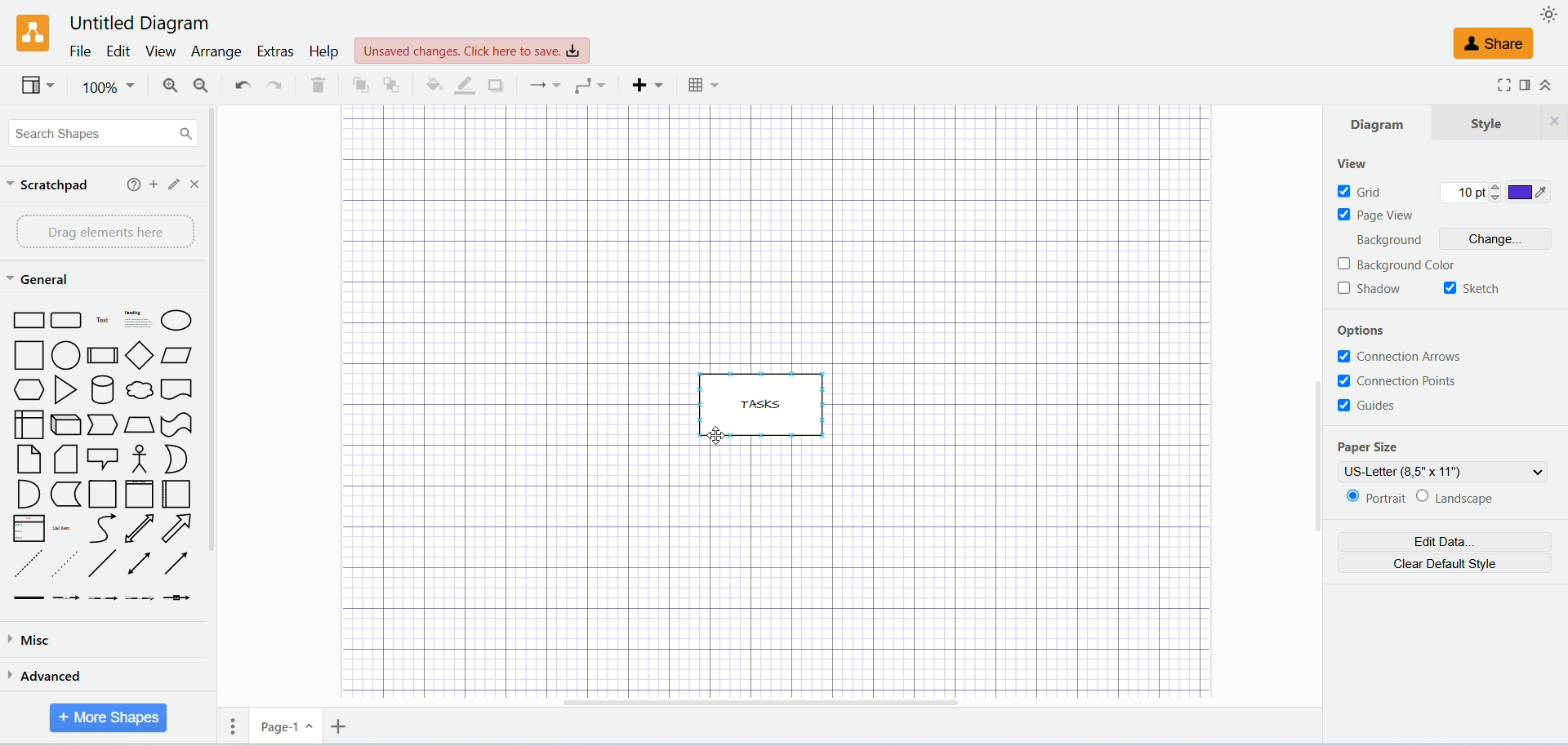  What do you see at coordinates (139, 425) in the screenshot?
I see `Trapezoid` at bounding box center [139, 425].